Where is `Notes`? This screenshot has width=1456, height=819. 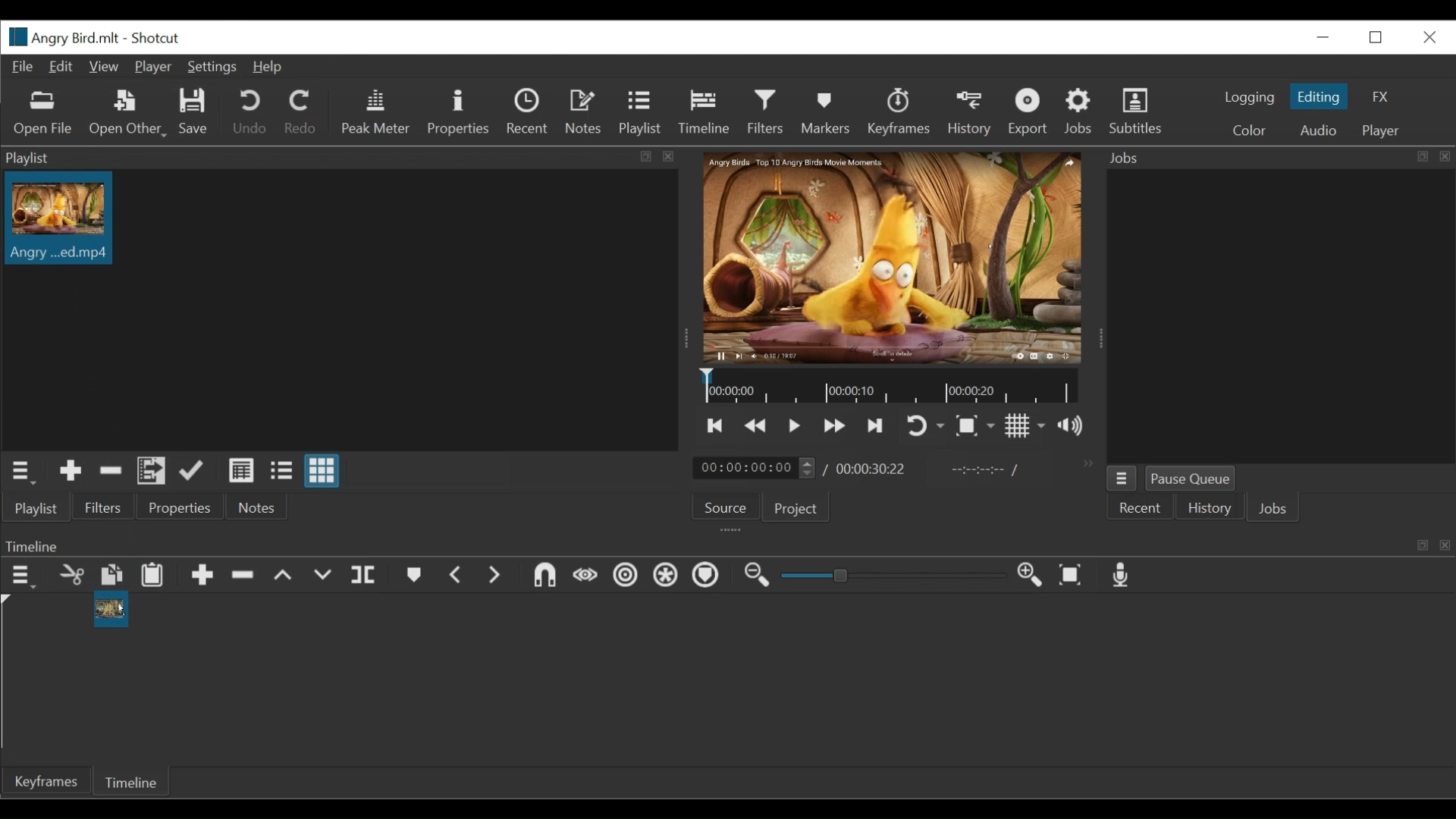
Notes is located at coordinates (262, 506).